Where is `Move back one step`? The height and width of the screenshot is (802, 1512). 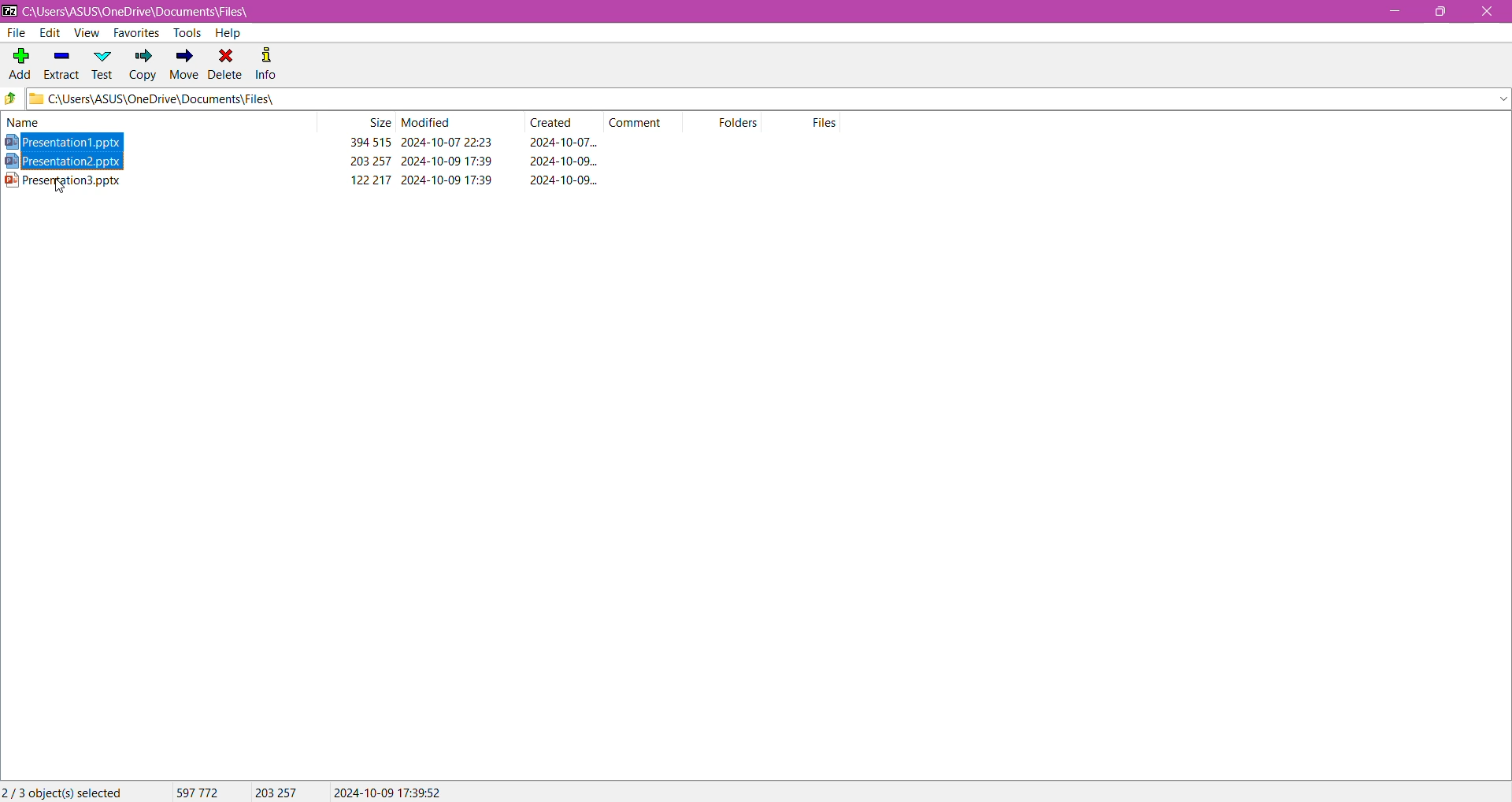
Move back one step is located at coordinates (11, 100).